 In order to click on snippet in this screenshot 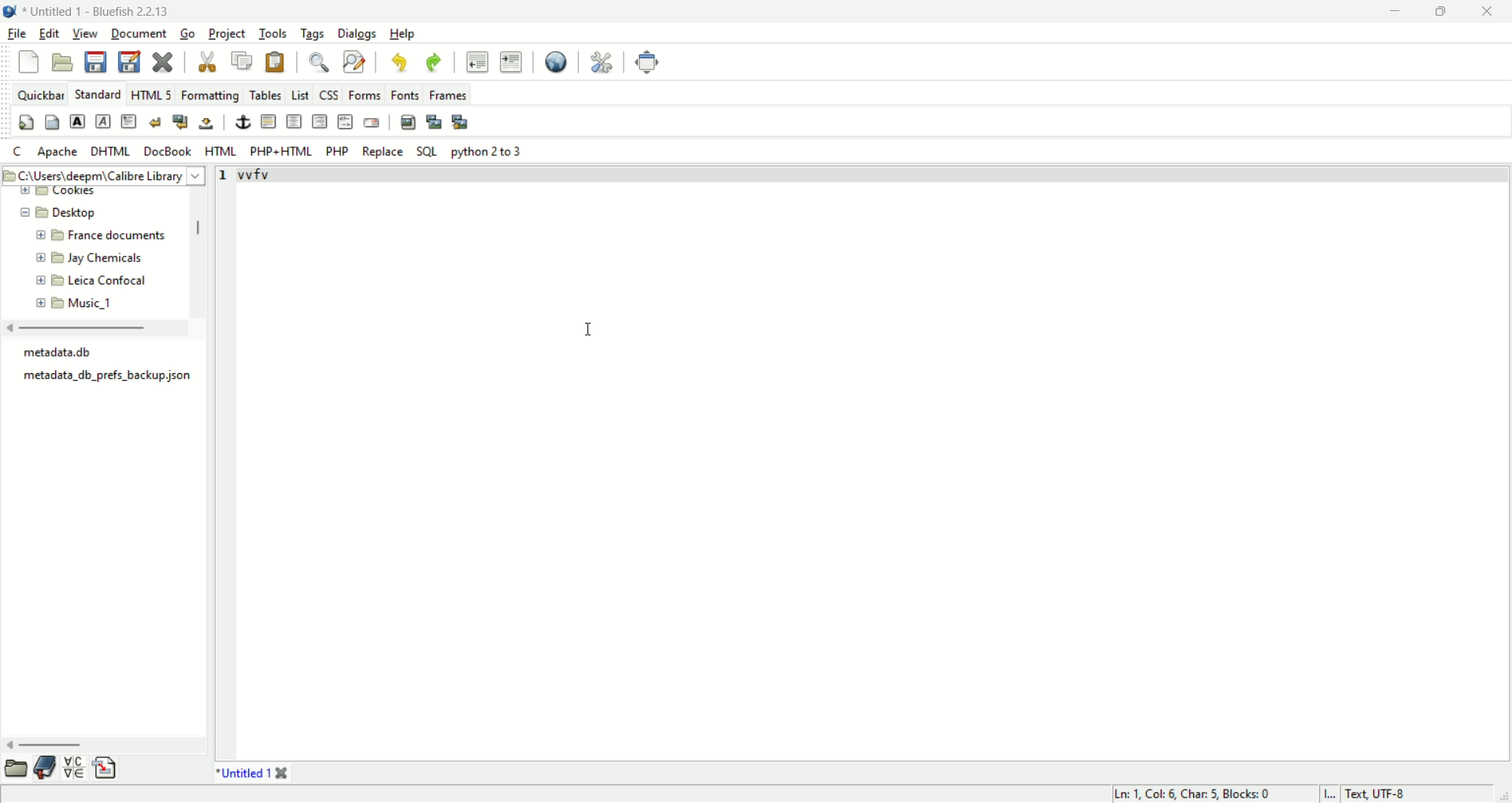, I will do `click(105, 768)`.